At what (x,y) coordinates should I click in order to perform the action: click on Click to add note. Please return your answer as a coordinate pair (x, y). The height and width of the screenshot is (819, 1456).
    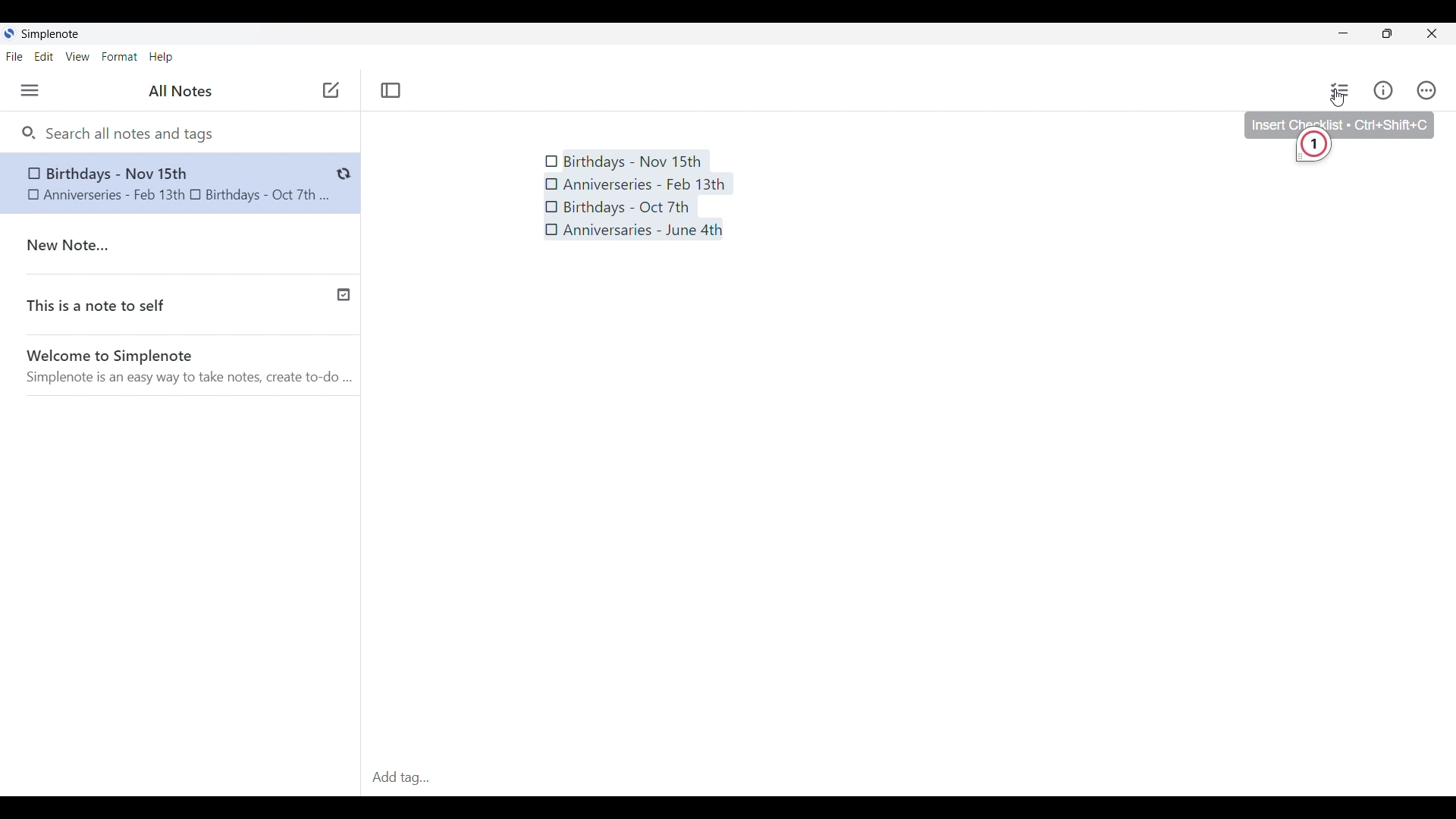
    Looking at the image, I should click on (331, 89).